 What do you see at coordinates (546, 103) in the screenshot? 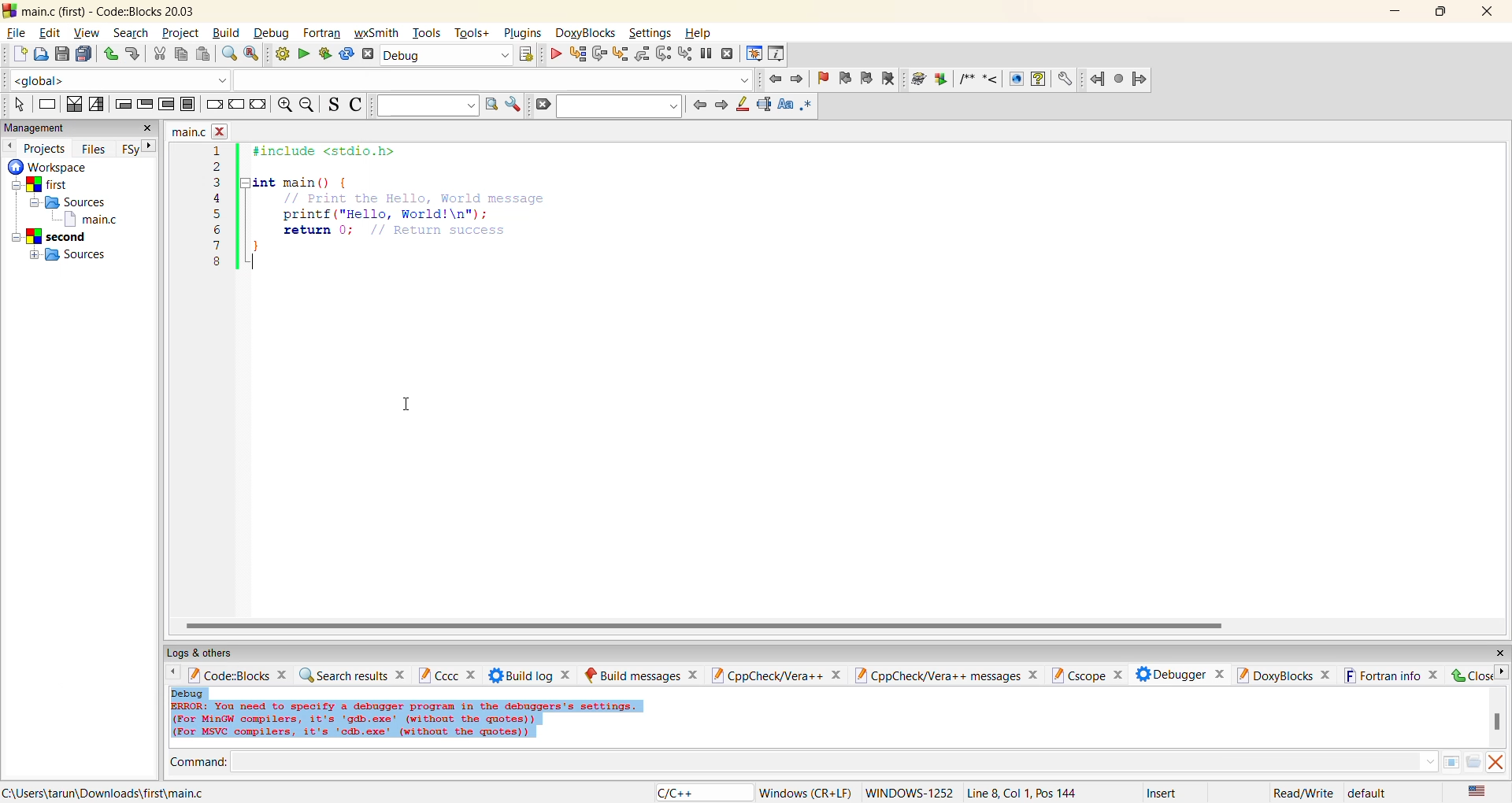
I see `clear` at bounding box center [546, 103].